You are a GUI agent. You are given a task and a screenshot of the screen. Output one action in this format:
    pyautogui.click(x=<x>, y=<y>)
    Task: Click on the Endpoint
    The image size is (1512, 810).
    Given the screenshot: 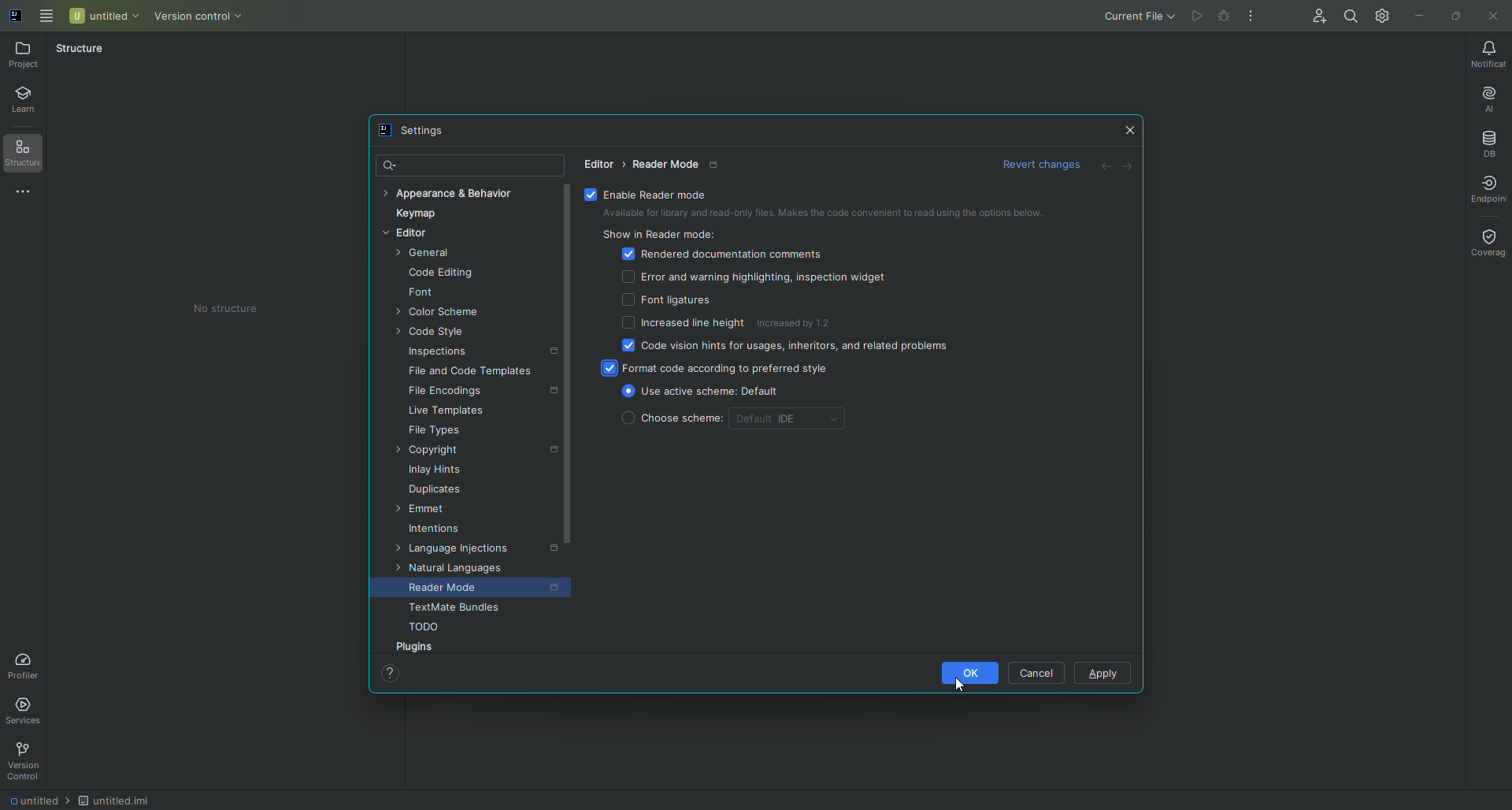 What is the action you would take?
    pyautogui.click(x=1489, y=190)
    